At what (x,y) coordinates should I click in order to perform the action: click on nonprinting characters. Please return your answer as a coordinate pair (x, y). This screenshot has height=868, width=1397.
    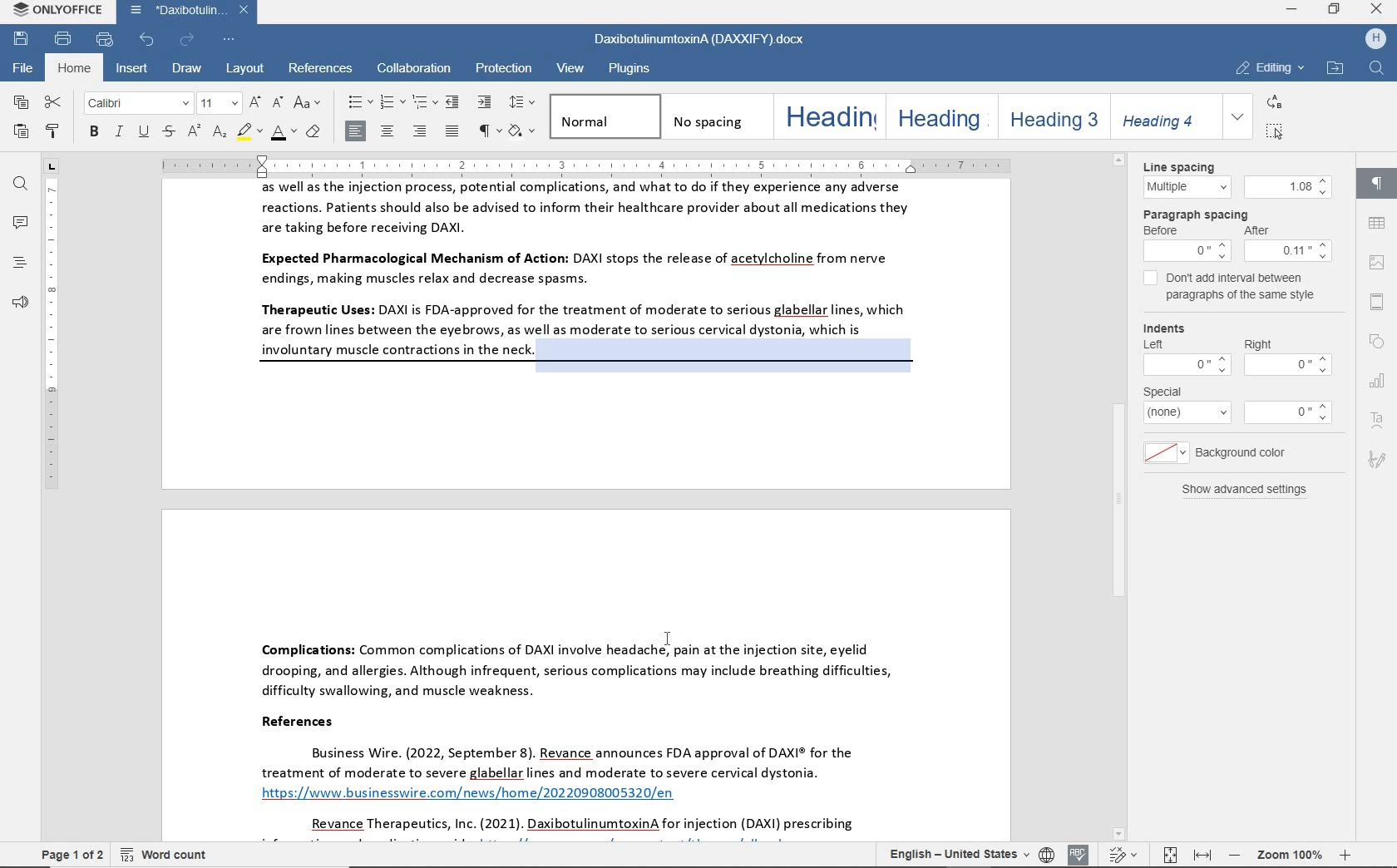
    Looking at the image, I should click on (487, 131).